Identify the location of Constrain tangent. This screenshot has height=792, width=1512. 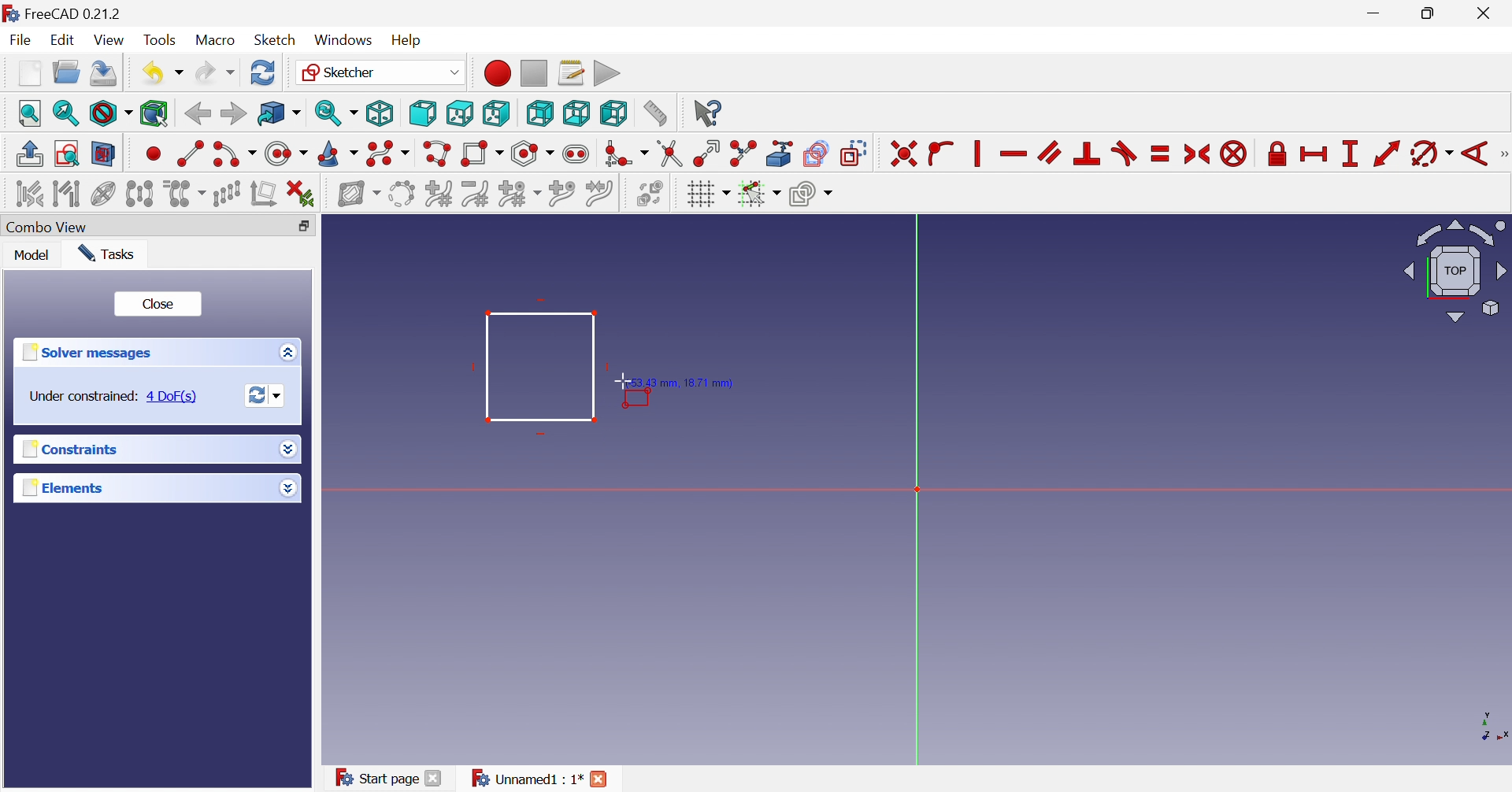
(1126, 153).